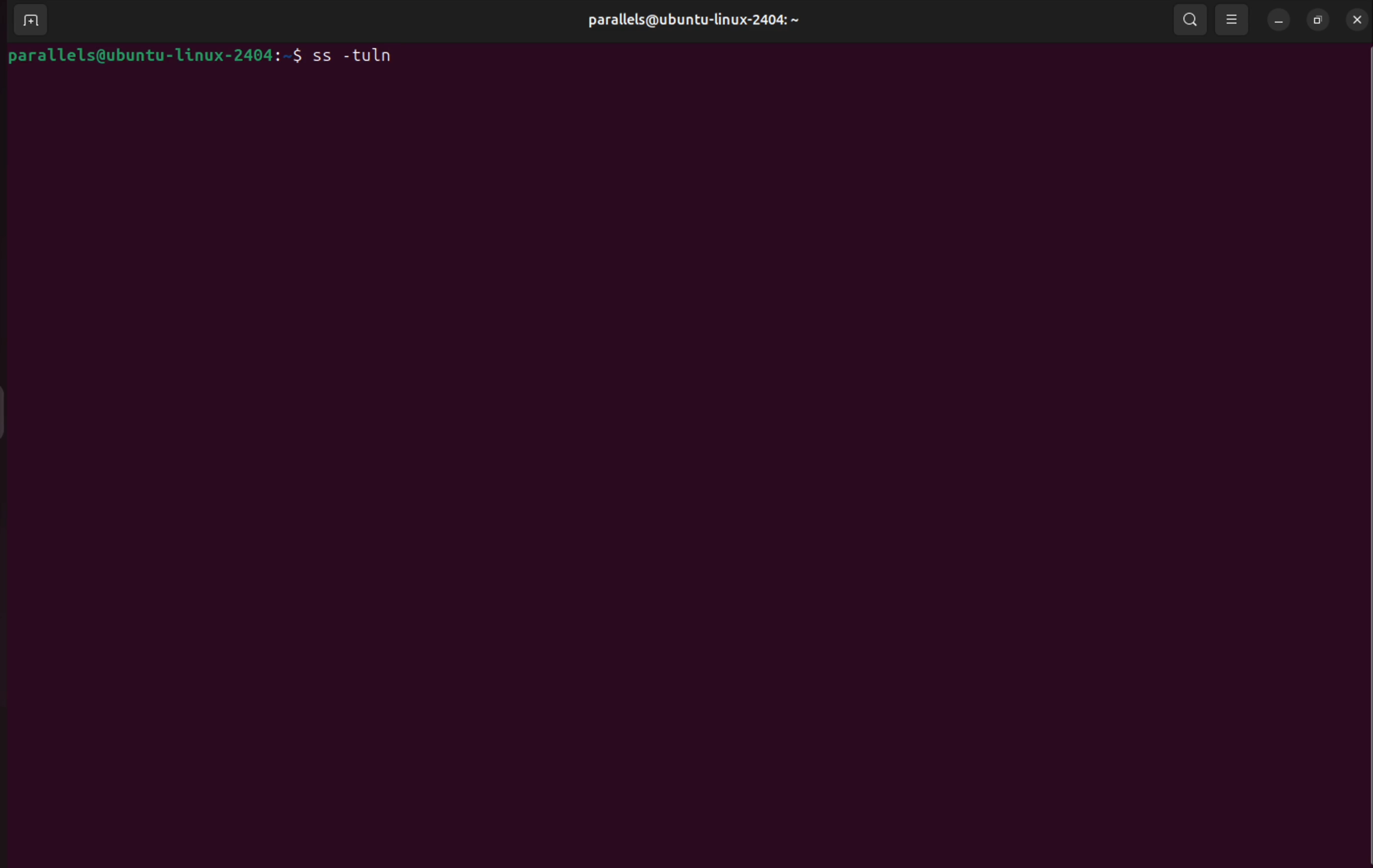  What do you see at coordinates (141, 54) in the screenshot?
I see `bash prompt` at bounding box center [141, 54].